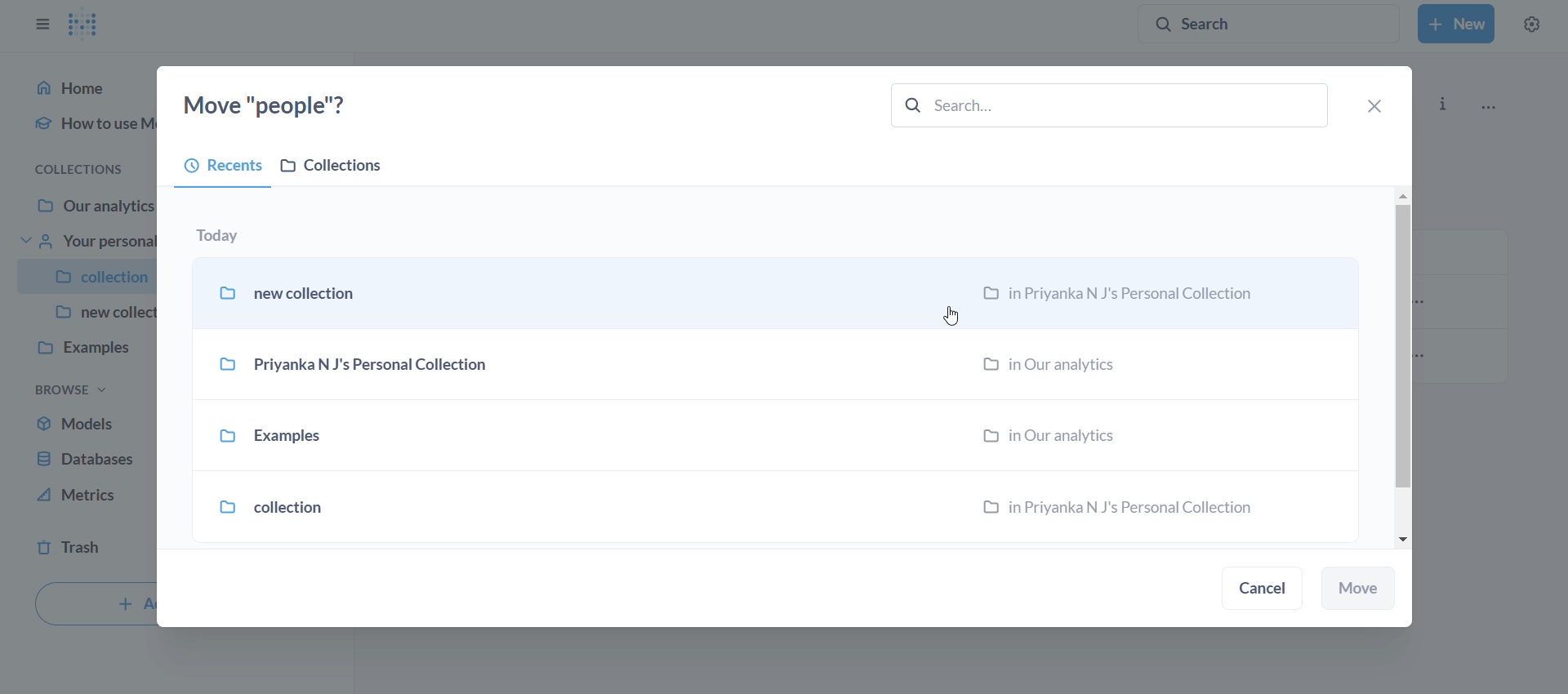 This screenshot has height=694, width=1568. Describe the element at coordinates (82, 124) in the screenshot. I see `how to use` at that location.